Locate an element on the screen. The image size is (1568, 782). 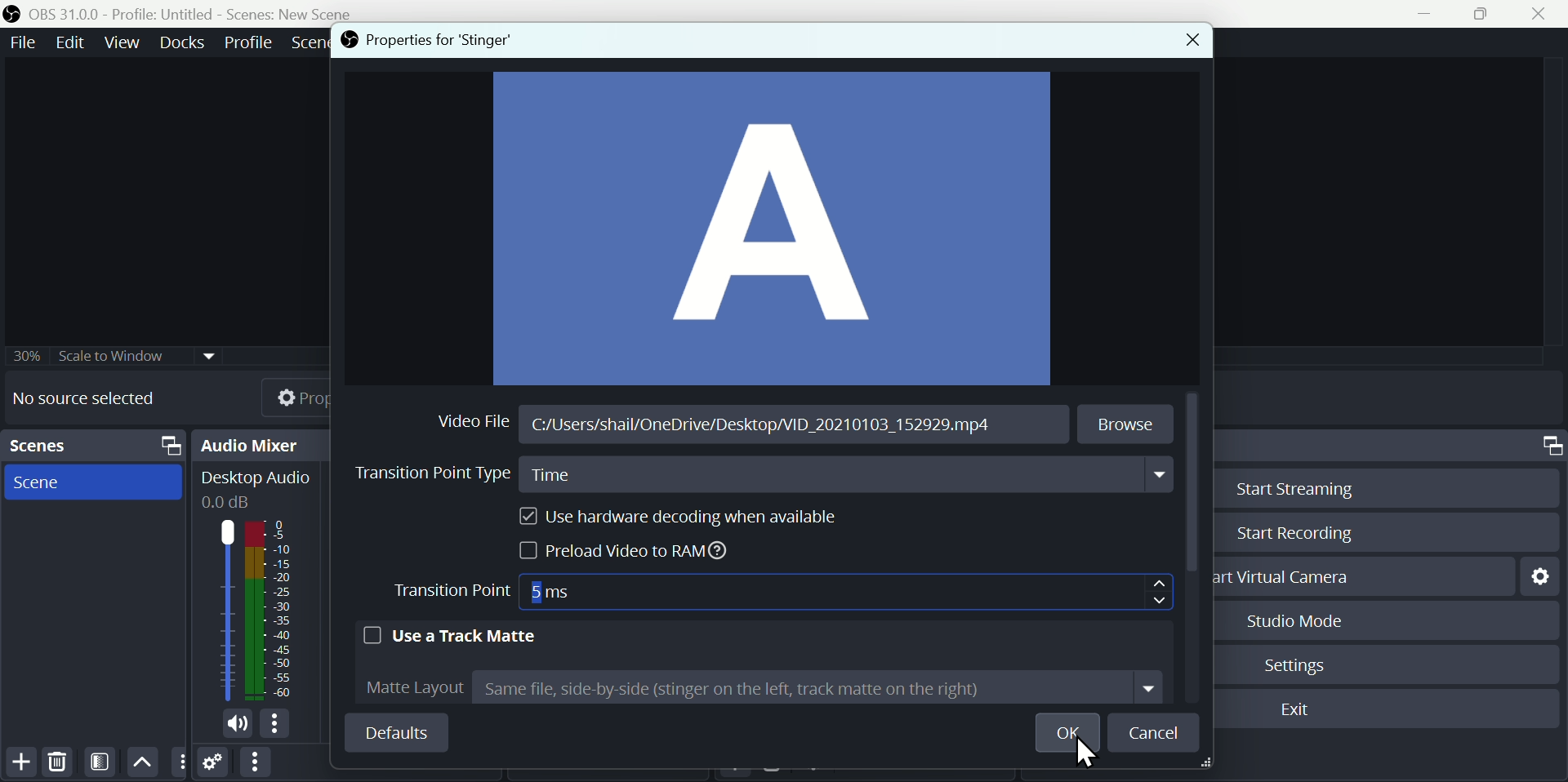
Use hardware decoding when available is located at coordinates (671, 517).